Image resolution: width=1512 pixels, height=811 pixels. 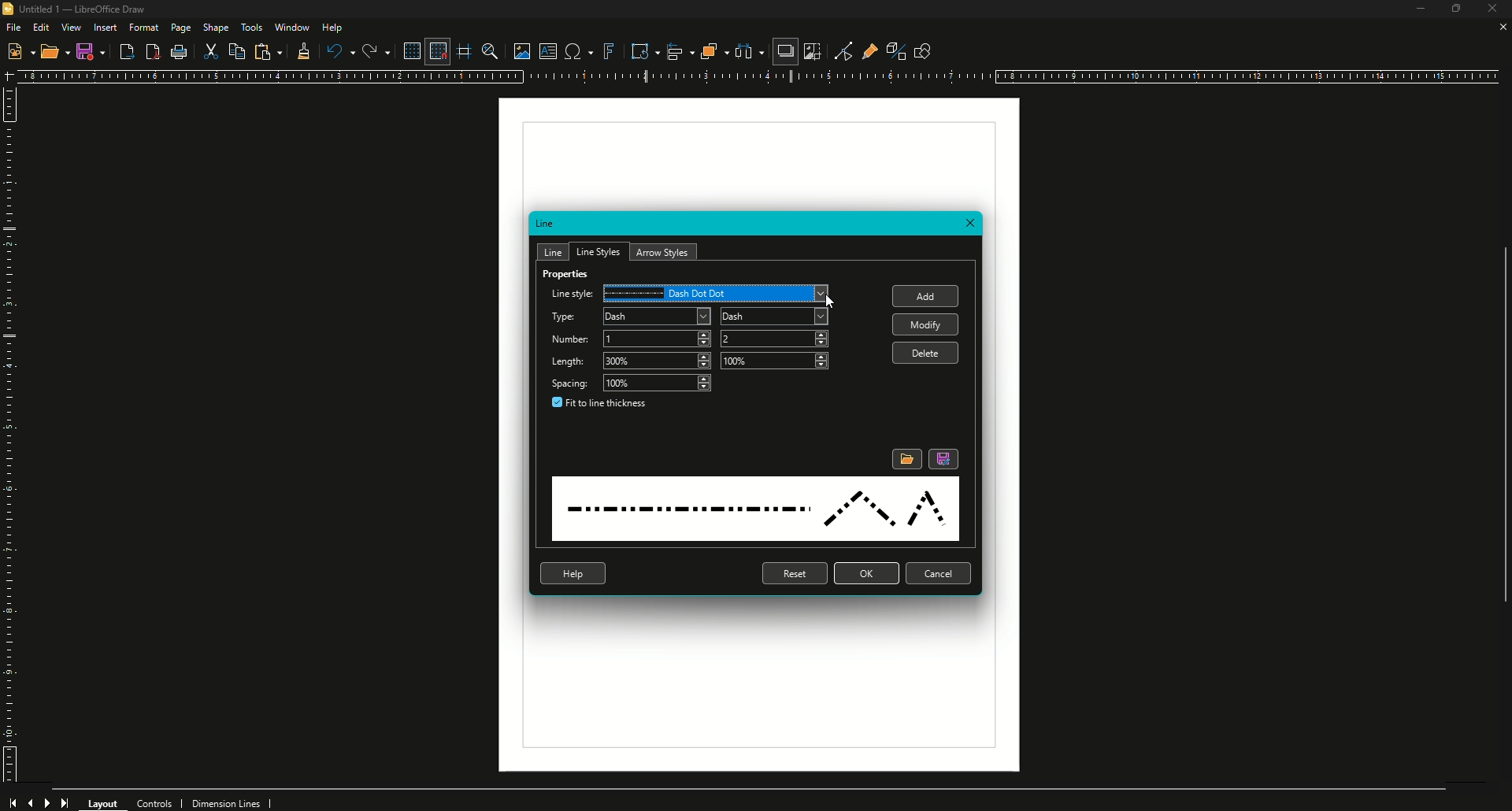 I want to click on Zoom and Pan, so click(x=488, y=50).